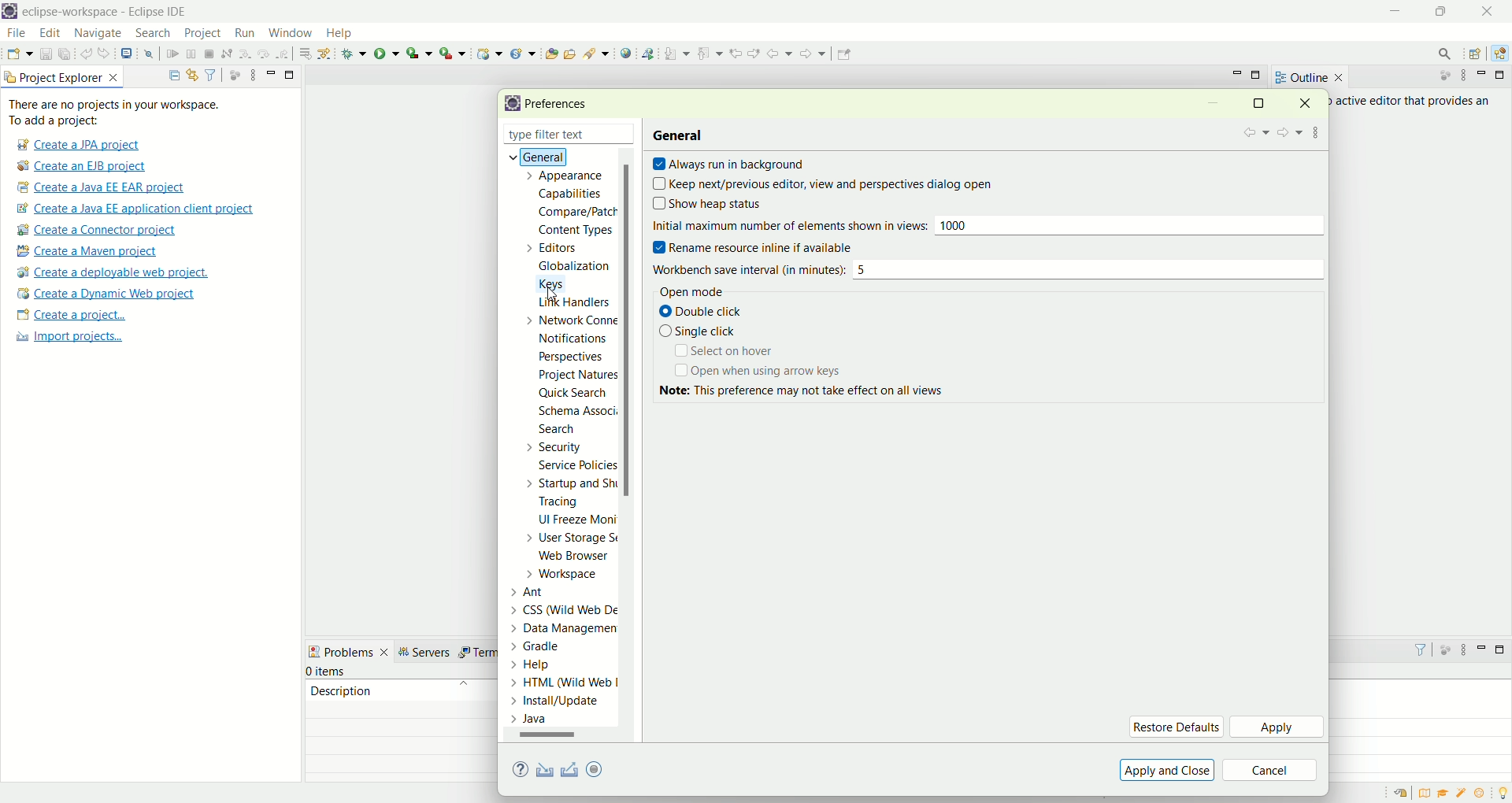 This screenshot has width=1512, height=803. Describe the element at coordinates (65, 54) in the screenshot. I see `save all` at that location.